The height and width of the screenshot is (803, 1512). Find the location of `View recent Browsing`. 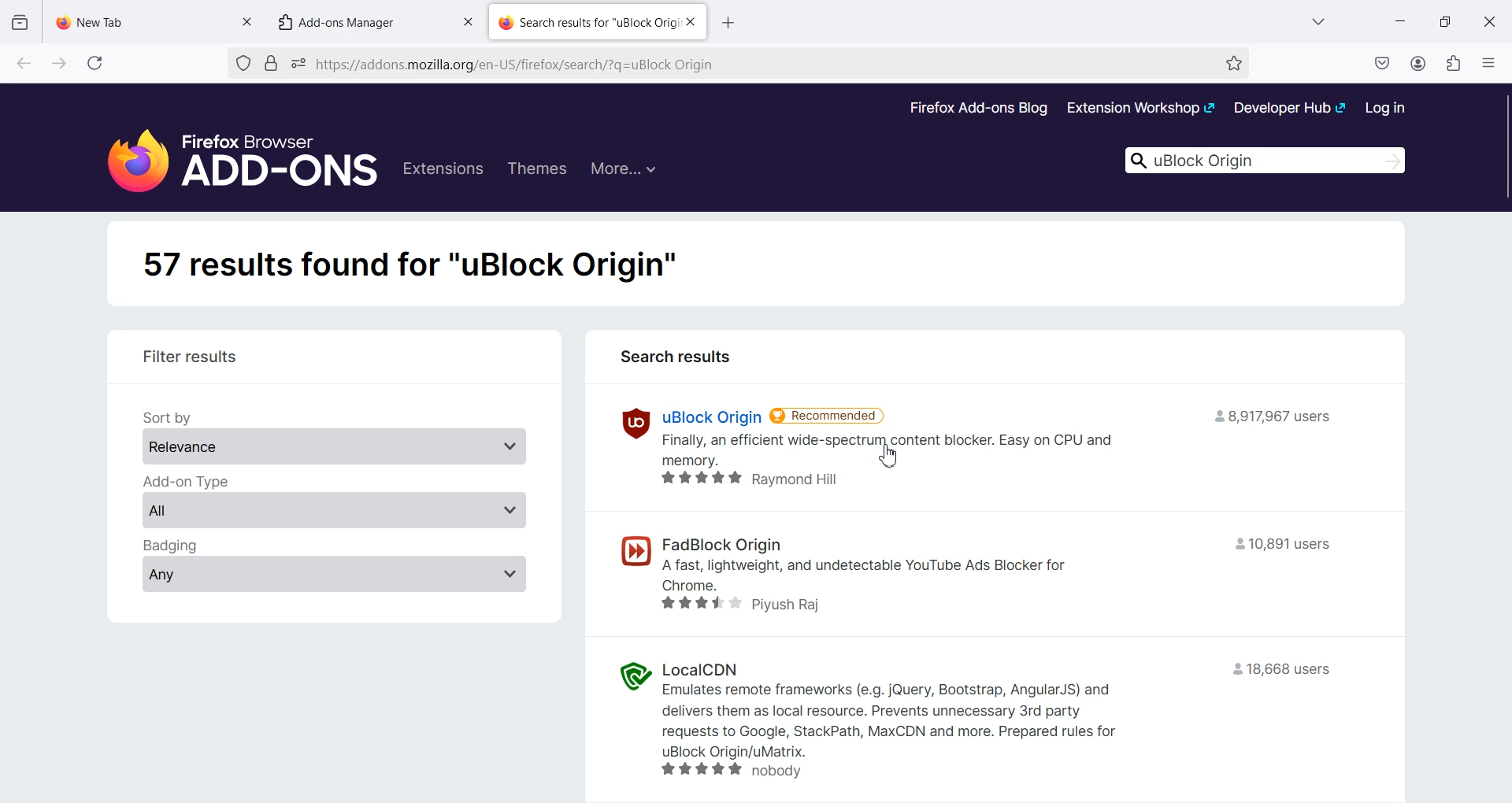

View recent Browsing is located at coordinates (20, 23).